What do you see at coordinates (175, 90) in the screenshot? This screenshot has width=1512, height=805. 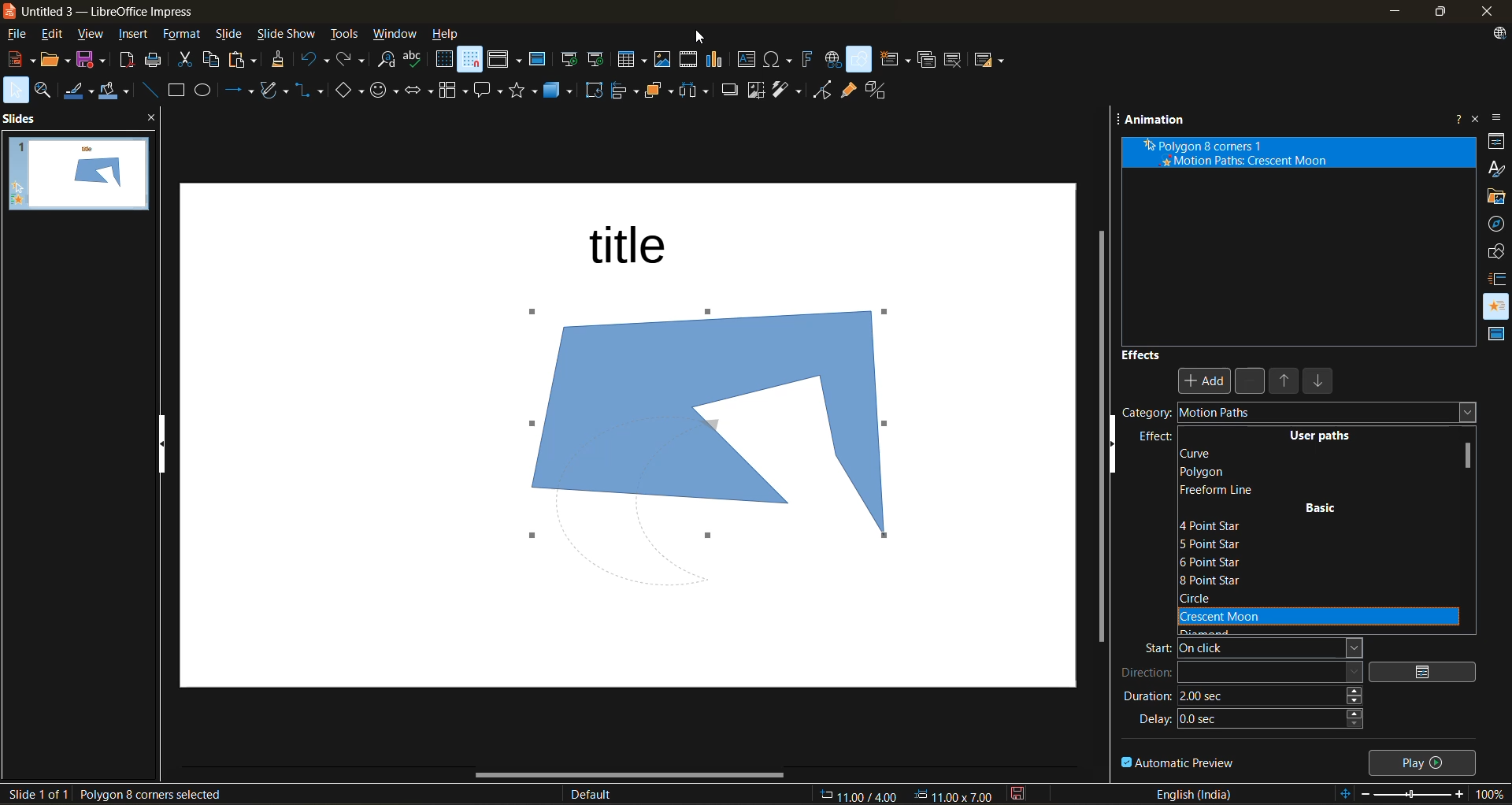 I see `rectangle` at bounding box center [175, 90].